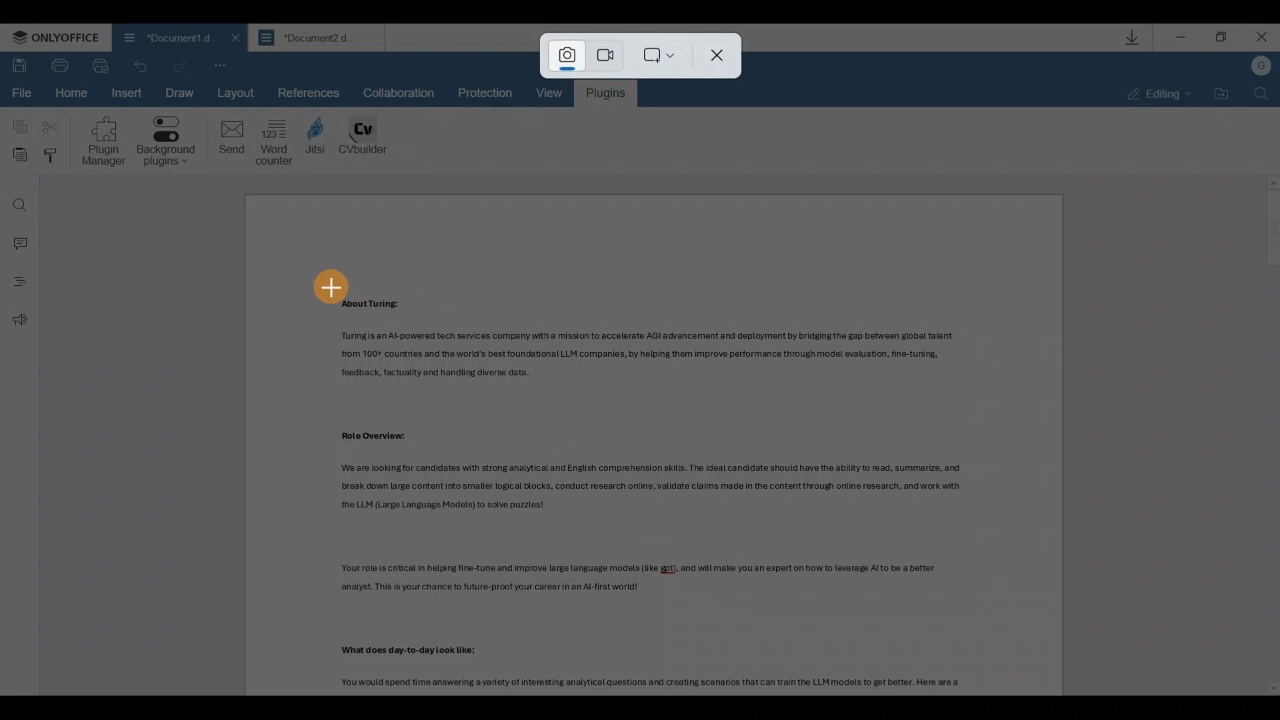  I want to click on Copy, so click(16, 128).